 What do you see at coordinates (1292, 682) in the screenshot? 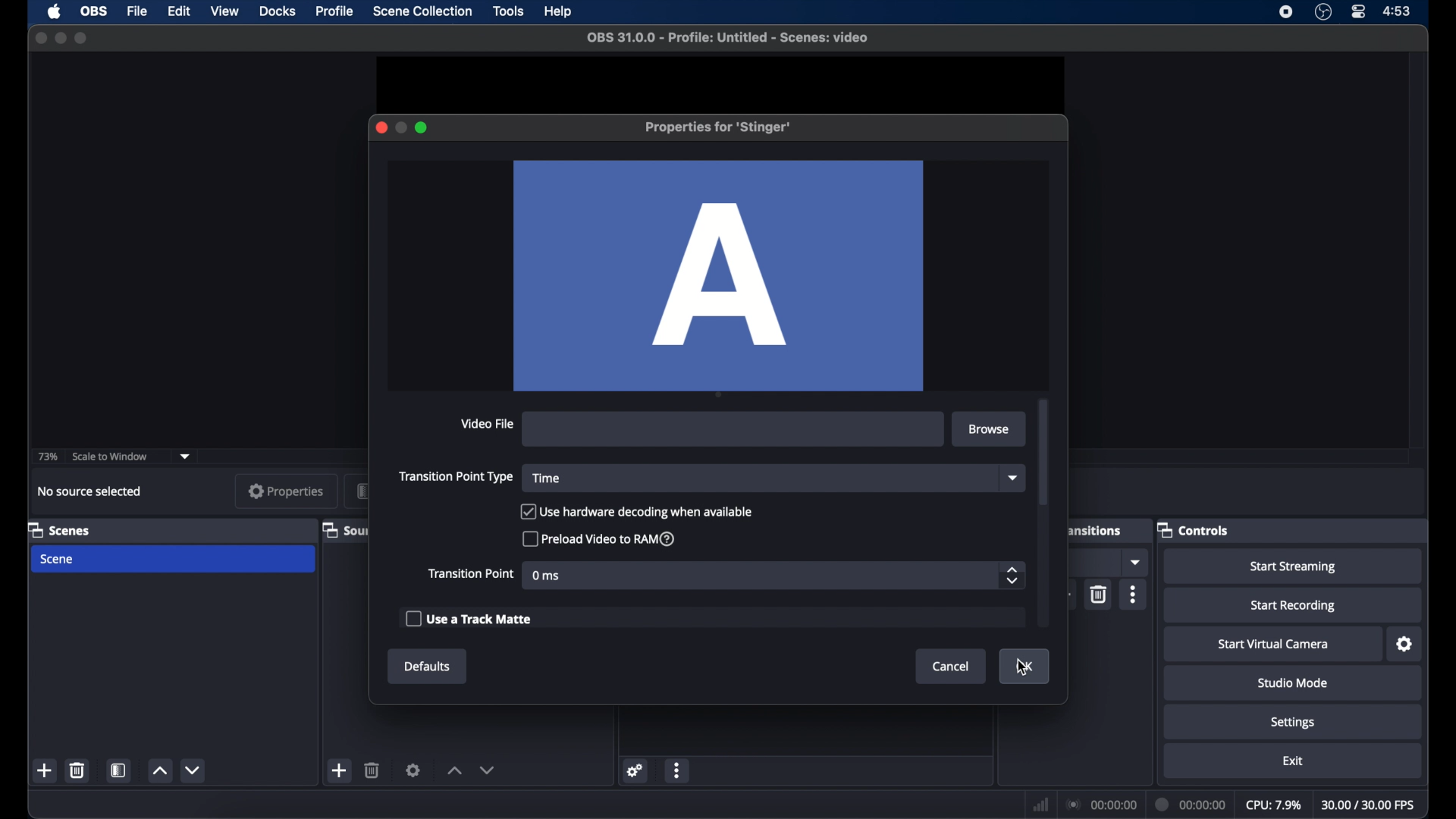
I see `studio mode` at bounding box center [1292, 682].